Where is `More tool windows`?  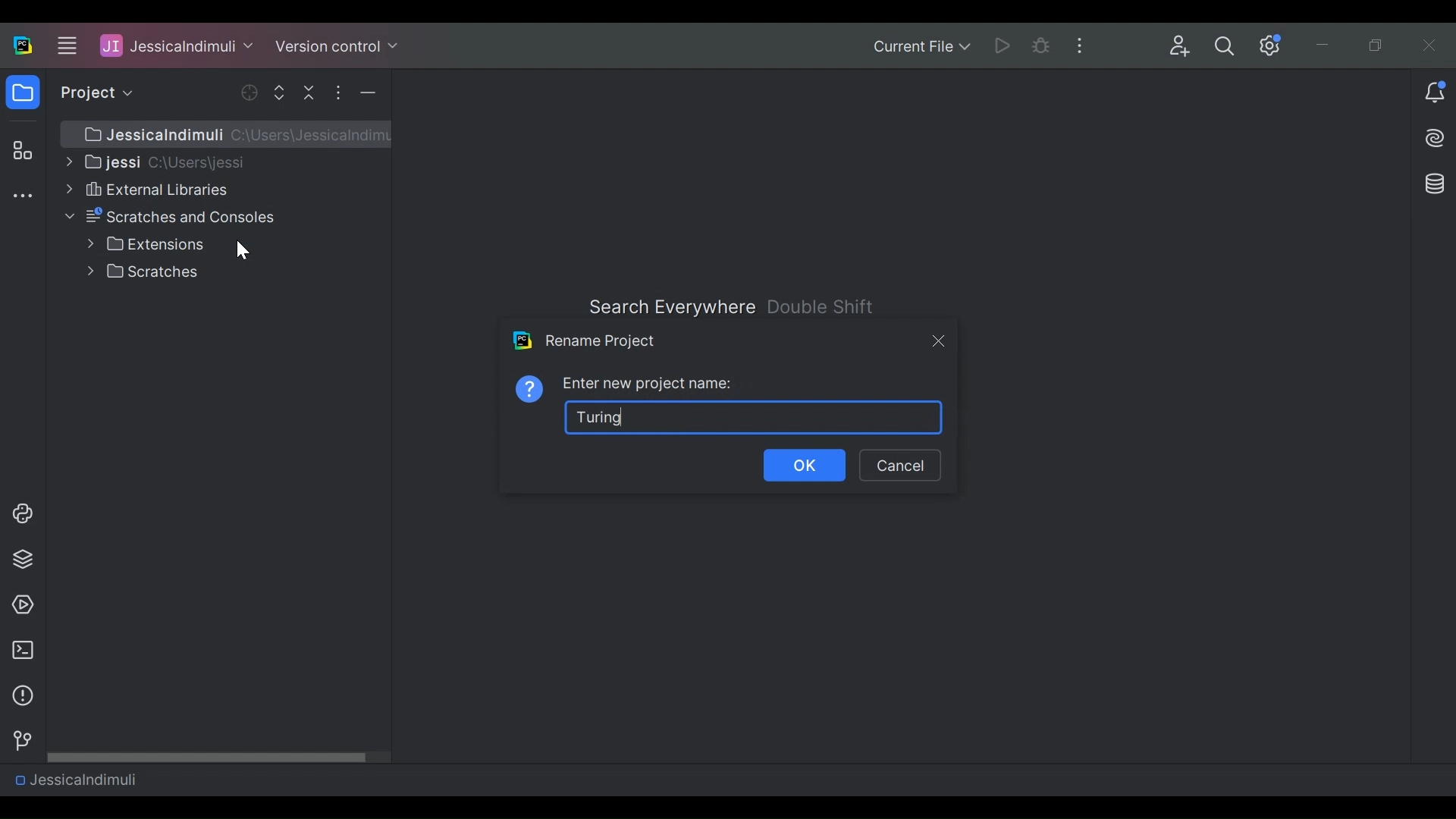 More tool windows is located at coordinates (22, 197).